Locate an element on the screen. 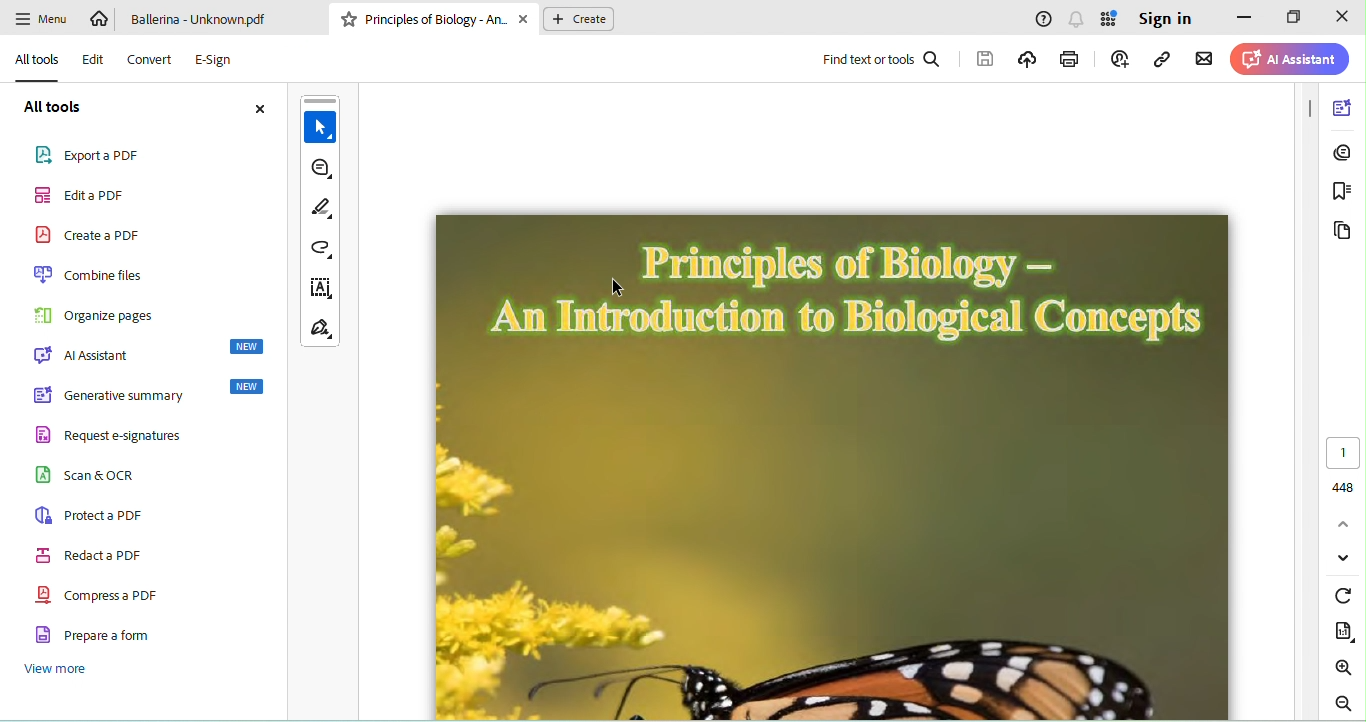 The width and height of the screenshot is (1366, 722). book cover: principles of biology- an introduction to biological concepts is located at coordinates (841, 468).